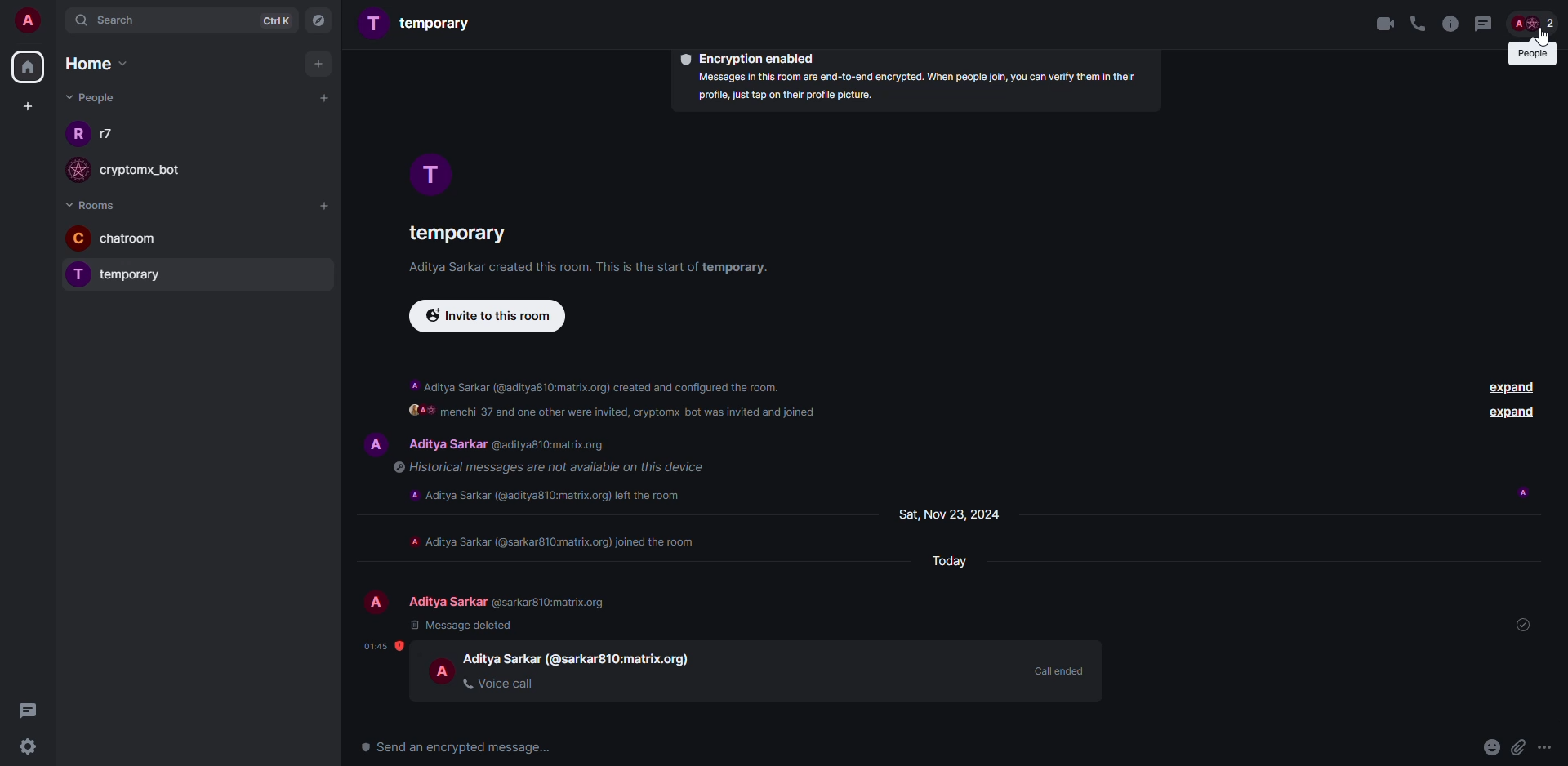 The image size is (1568, 766). I want to click on profile, so click(75, 274).